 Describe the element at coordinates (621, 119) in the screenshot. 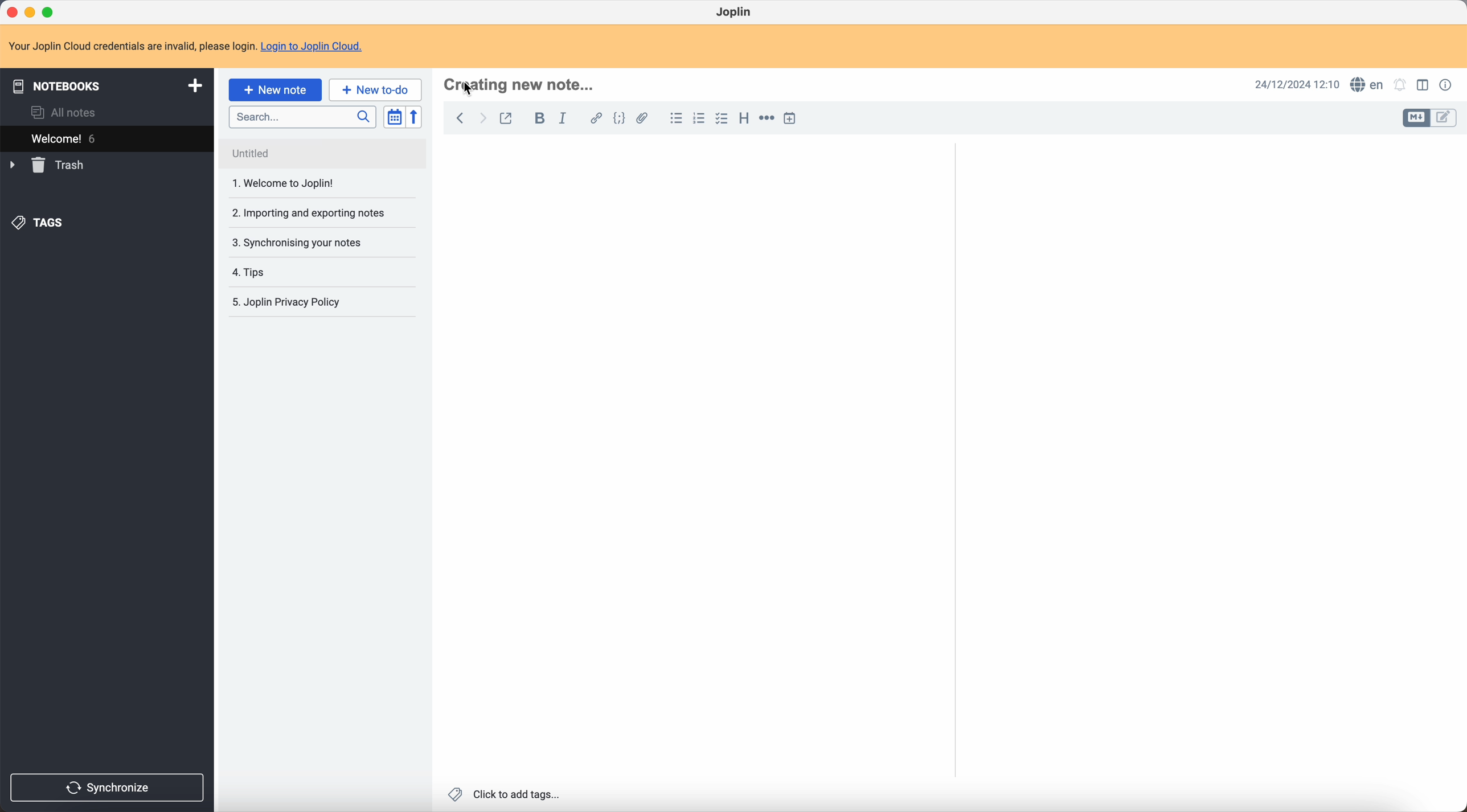

I see `code` at that location.